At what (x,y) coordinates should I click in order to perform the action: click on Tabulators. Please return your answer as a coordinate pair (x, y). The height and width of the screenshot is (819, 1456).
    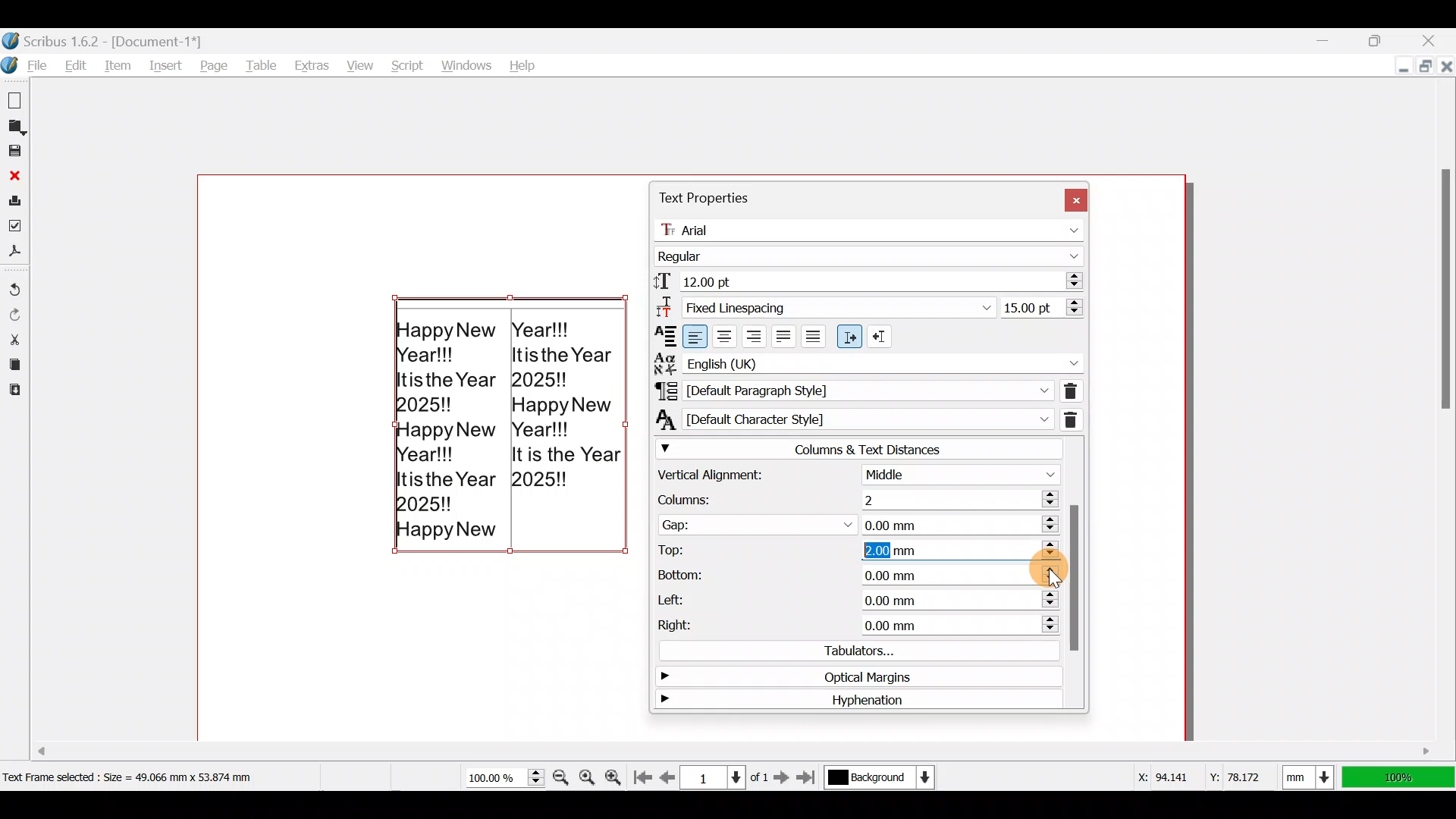
    Looking at the image, I should click on (852, 651).